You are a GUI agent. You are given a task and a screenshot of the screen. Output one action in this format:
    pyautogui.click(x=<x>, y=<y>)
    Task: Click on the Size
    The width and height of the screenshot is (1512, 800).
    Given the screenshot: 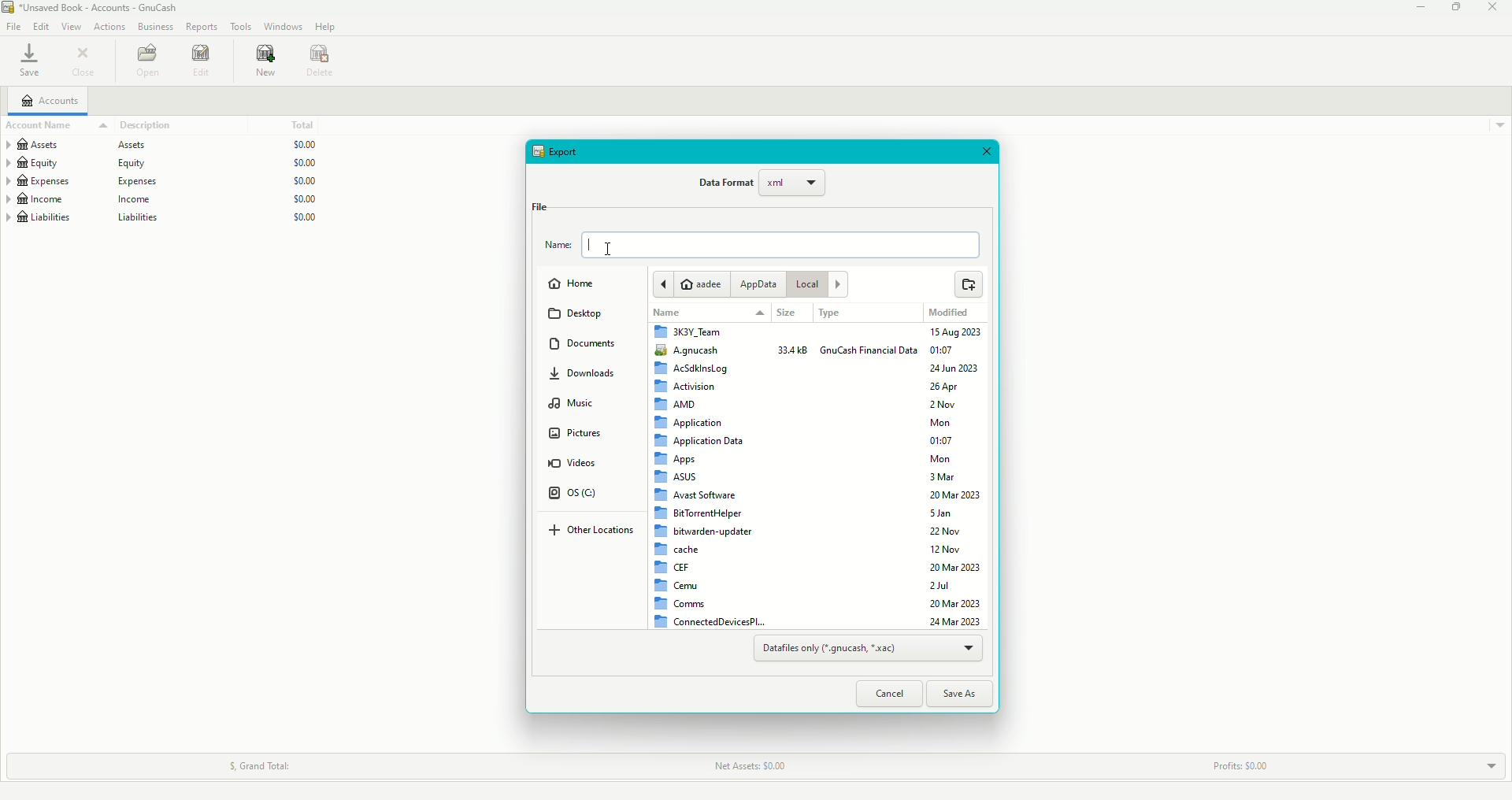 What is the action you would take?
    pyautogui.click(x=786, y=313)
    